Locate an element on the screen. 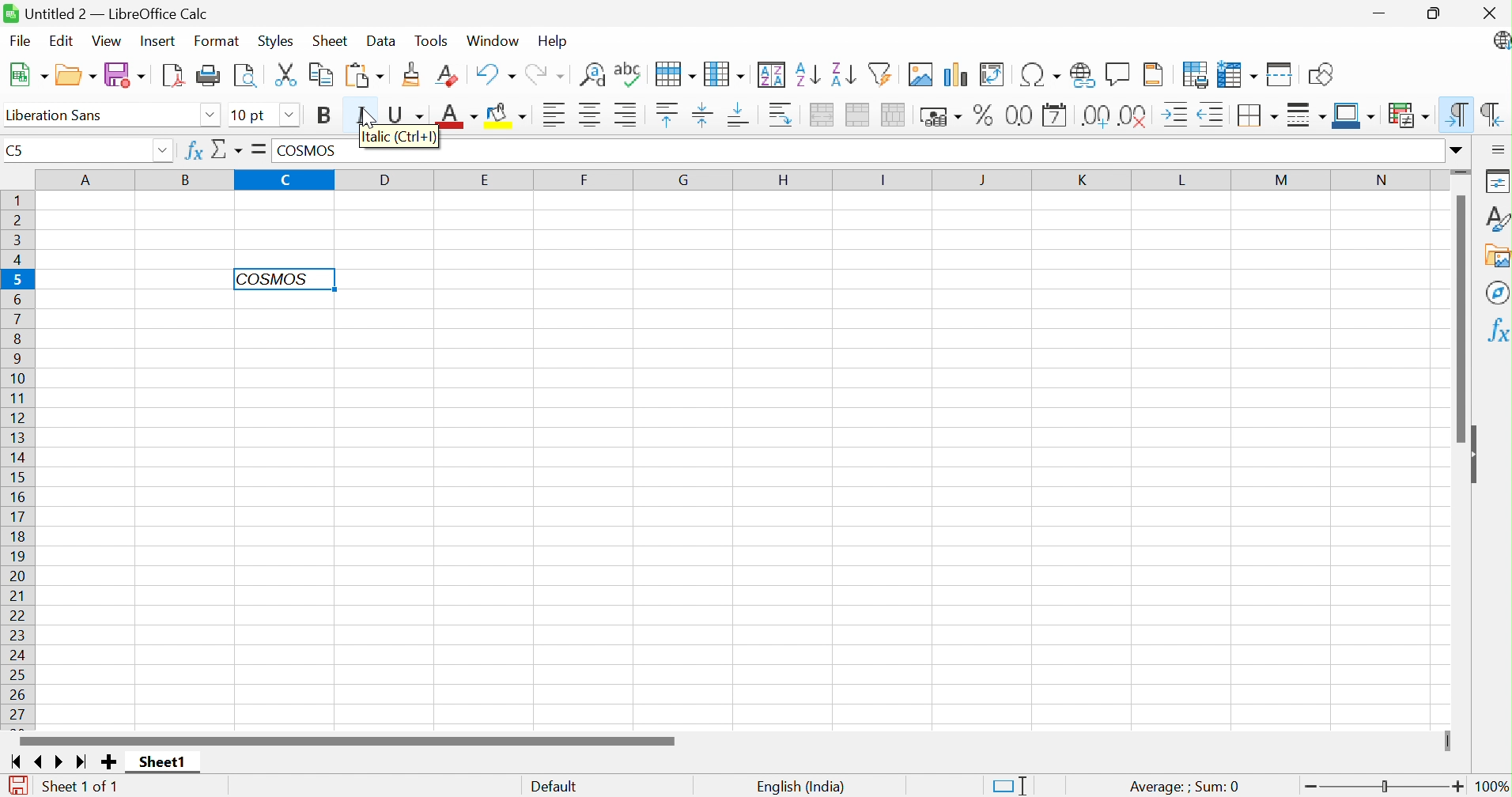  Window is located at coordinates (494, 40).